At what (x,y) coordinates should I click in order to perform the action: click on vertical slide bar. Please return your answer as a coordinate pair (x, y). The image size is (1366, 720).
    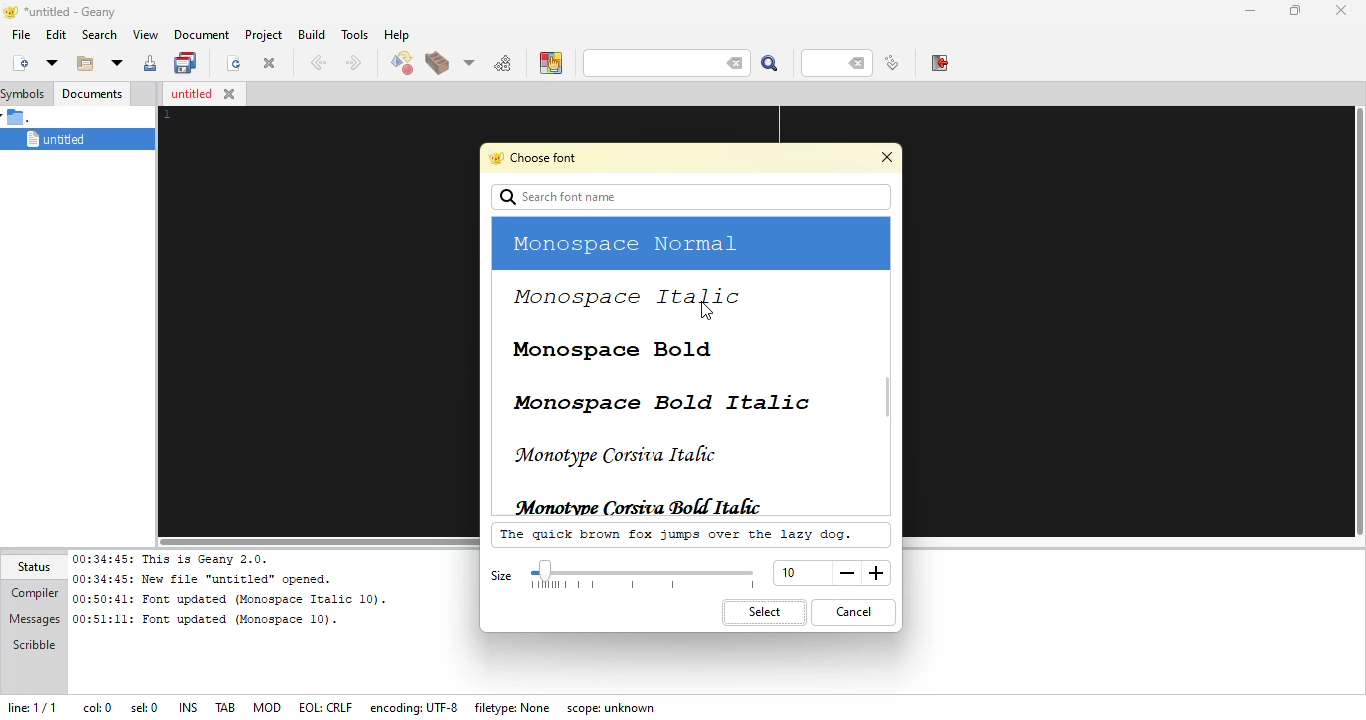
    Looking at the image, I should click on (1357, 324).